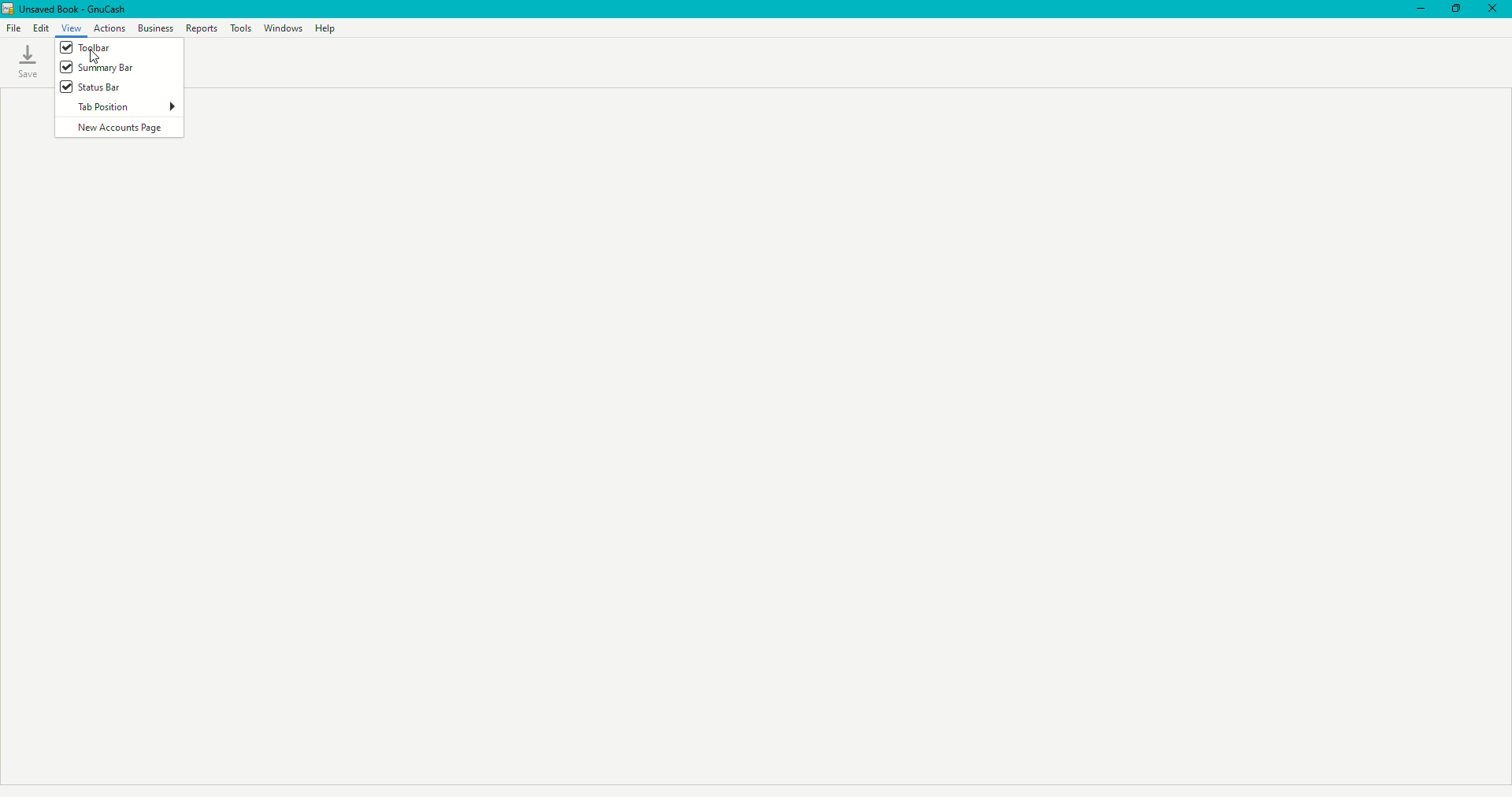  Describe the element at coordinates (71, 28) in the screenshot. I see `View` at that location.